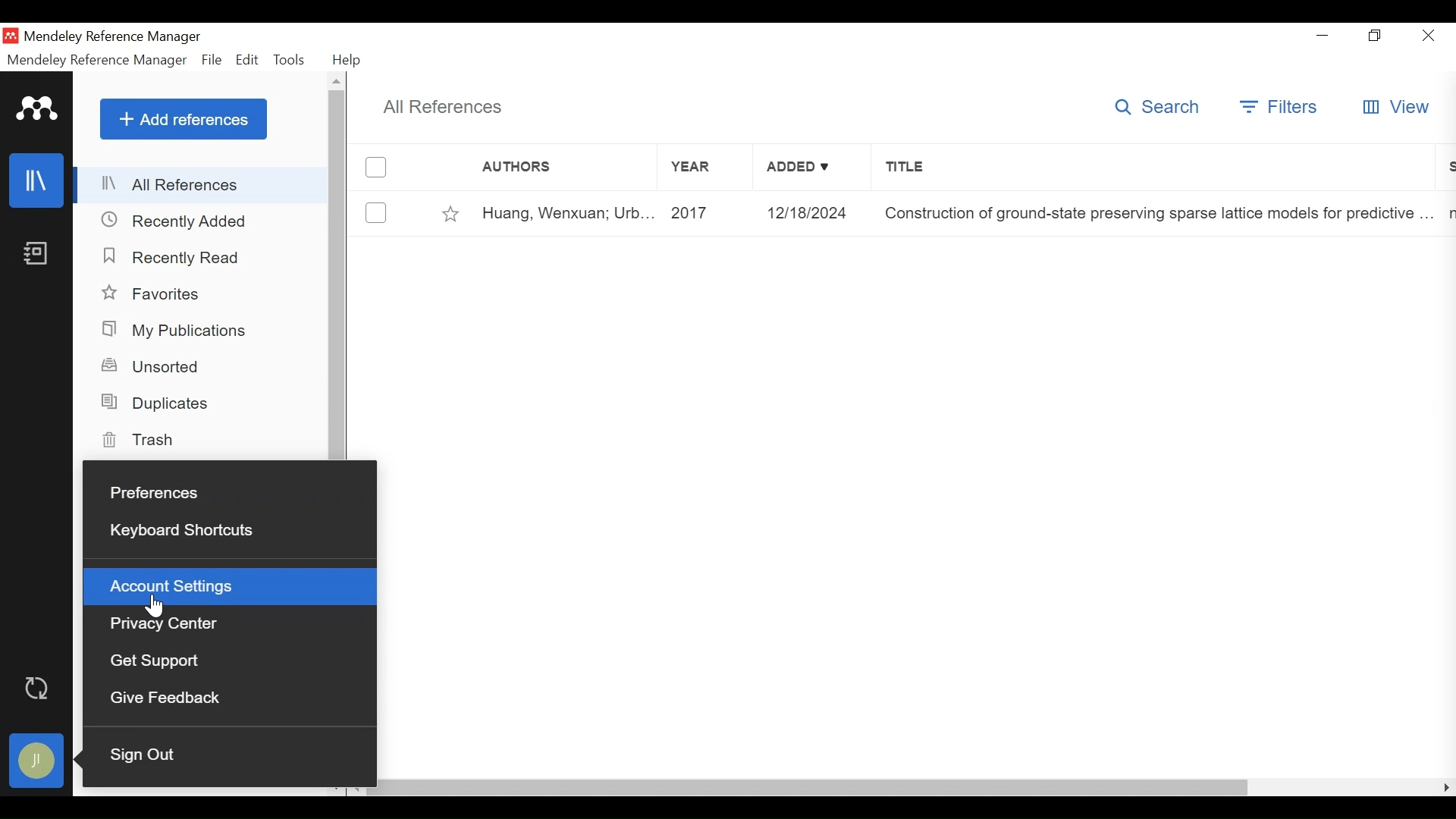 The height and width of the screenshot is (819, 1456). What do you see at coordinates (121, 37) in the screenshot?
I see `Mendeley Reference Manager` at bounding box center [121, 37].